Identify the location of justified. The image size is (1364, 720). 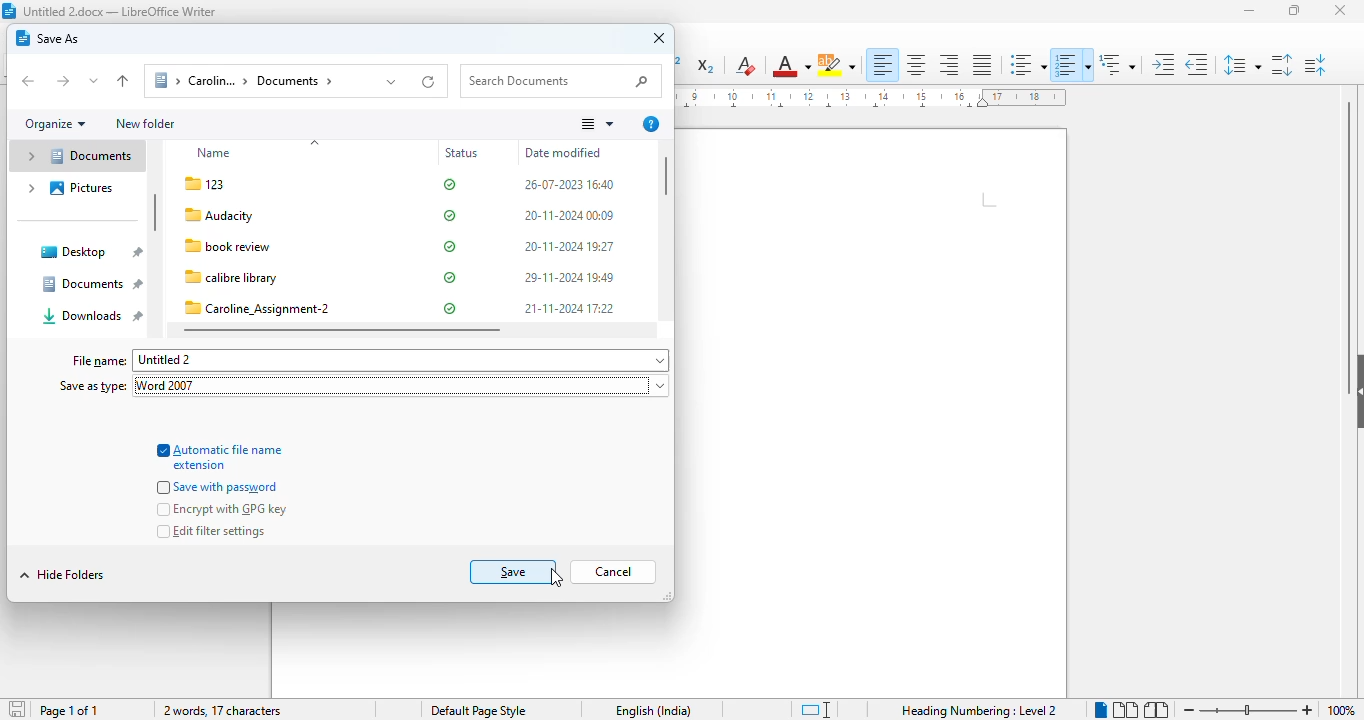
(982, 64).